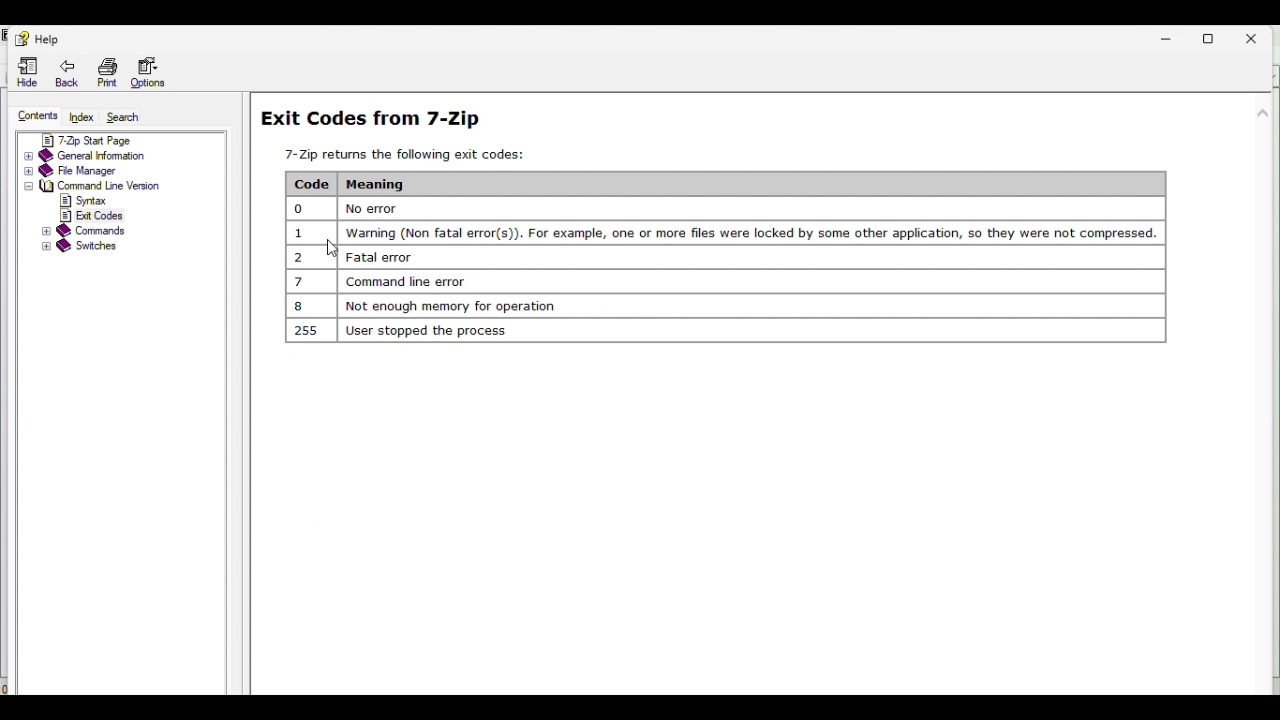 This screenshot has height=720, width=1280. Describe the element at coordinates (1259, 34) in the screenshot. I see `Close ` at that location.